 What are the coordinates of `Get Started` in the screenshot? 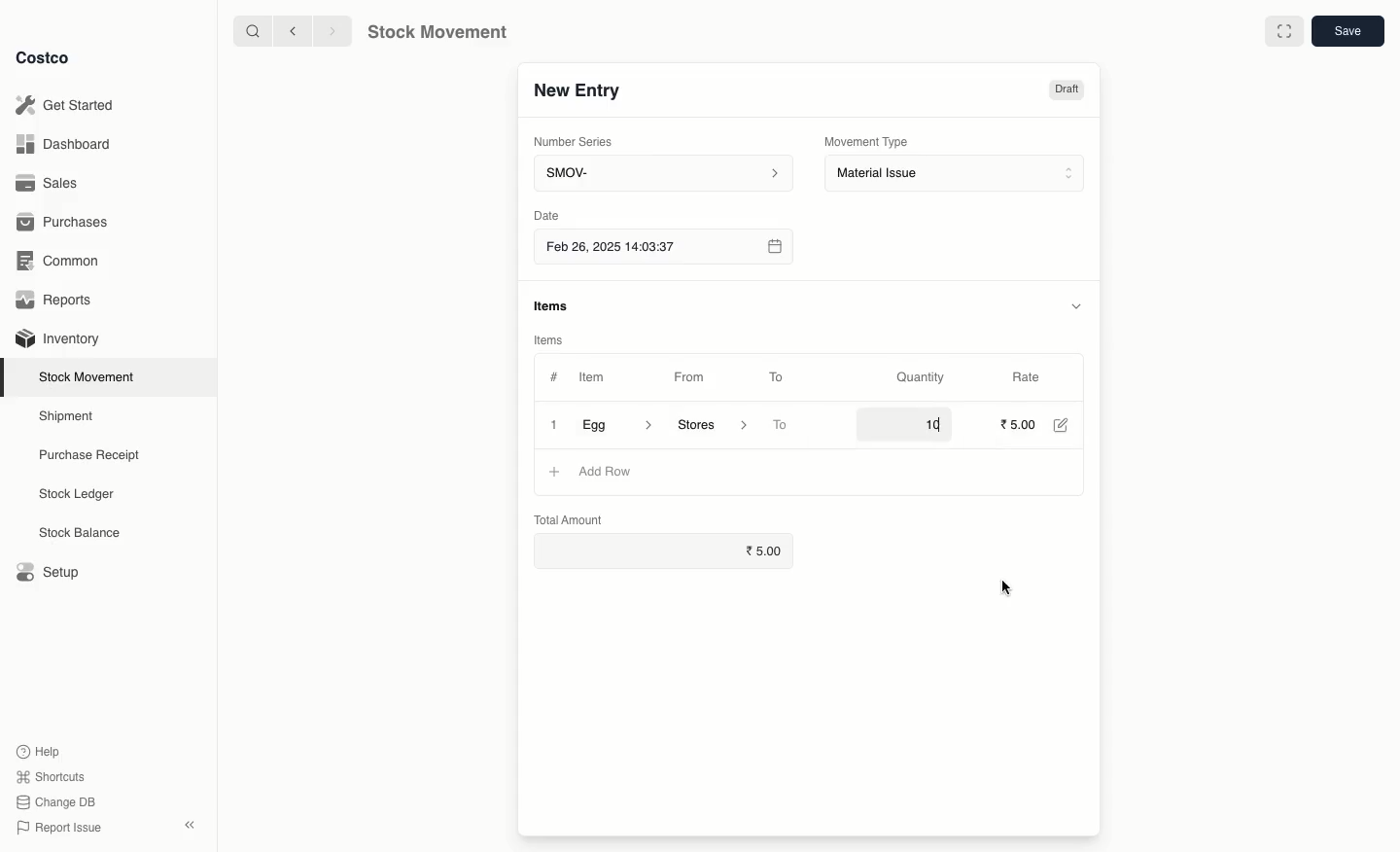 It's located at (69, 104).